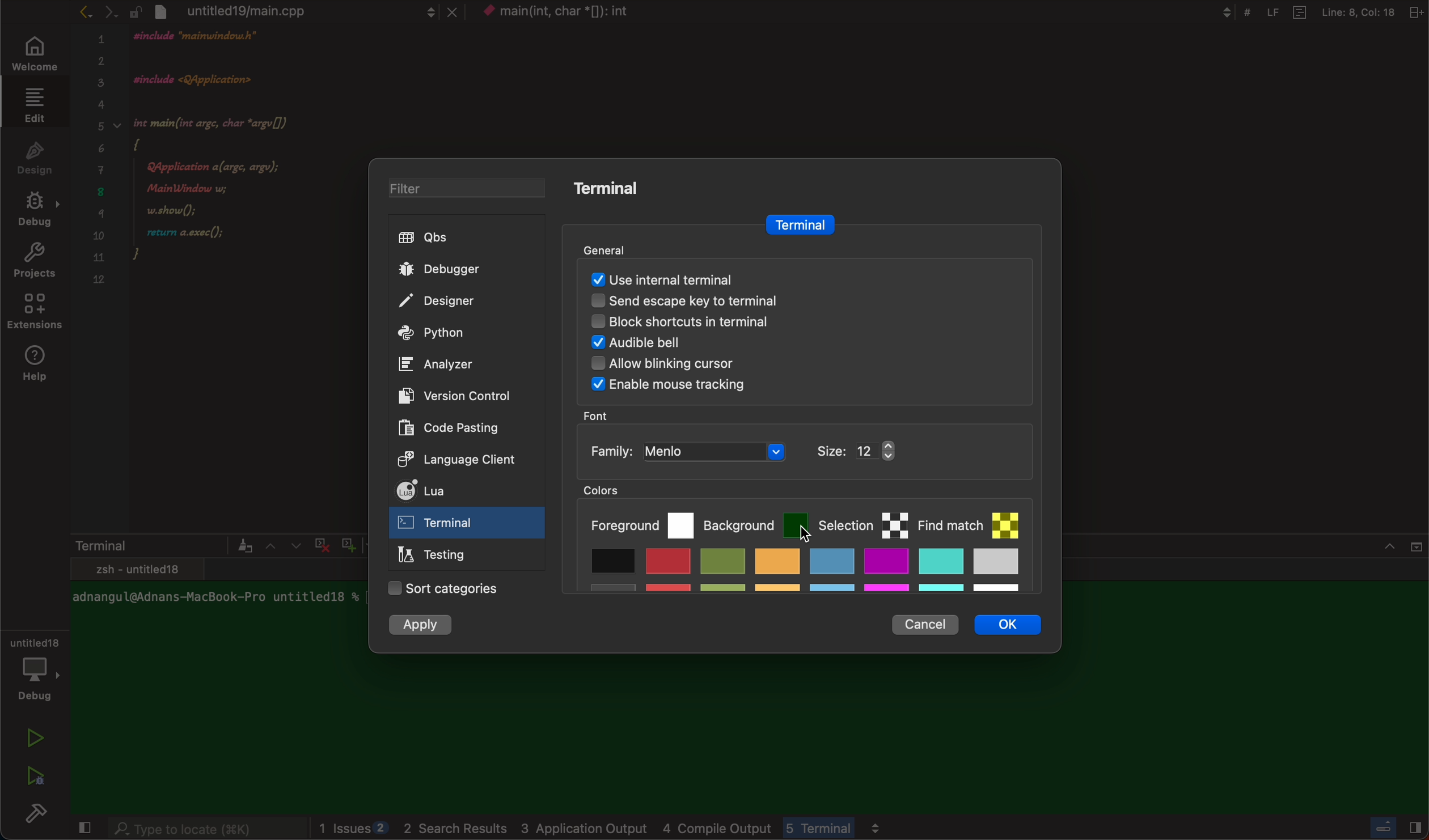 This screenshot has width=1429, height=840. What do you see at coordinates (789, 387) in the screenshot?
I see `enable tracking` at bounding box center [789, 387].